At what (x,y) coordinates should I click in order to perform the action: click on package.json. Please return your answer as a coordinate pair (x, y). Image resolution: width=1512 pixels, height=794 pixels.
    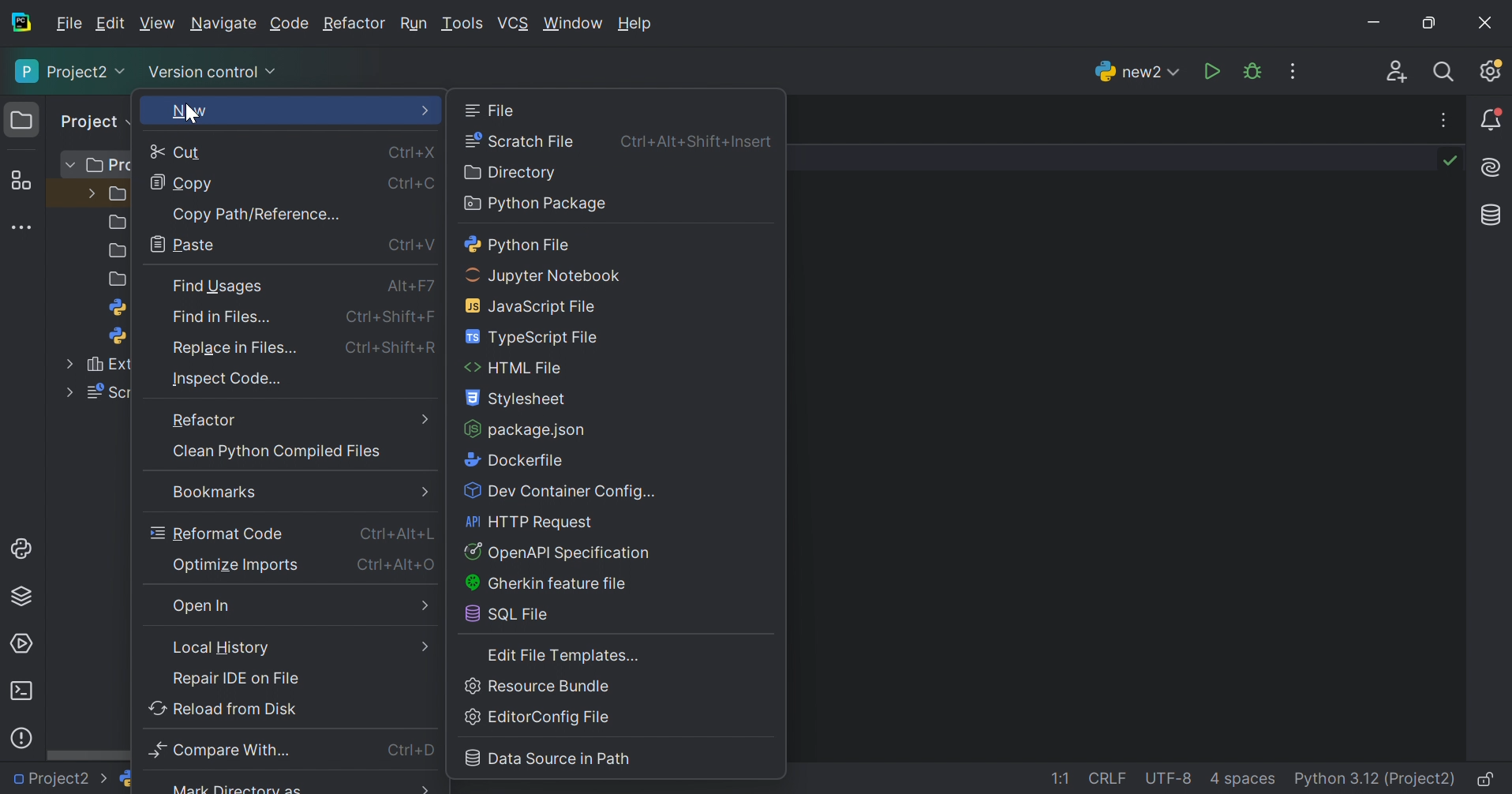
    Looking at the image, I should click on (526, 429).